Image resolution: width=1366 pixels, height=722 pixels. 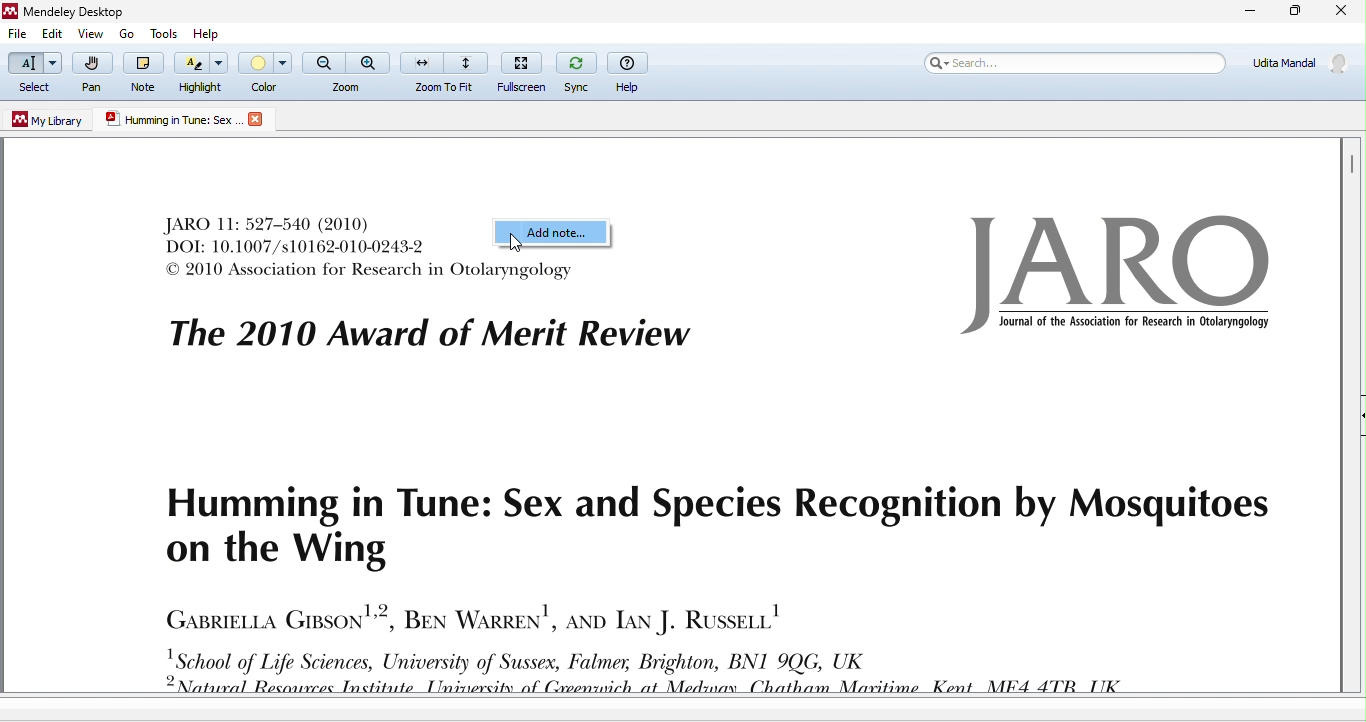 What do you see at coordinates (1297, 66) in the screenshot?
I see `account` at bounding box center [1297, 66].